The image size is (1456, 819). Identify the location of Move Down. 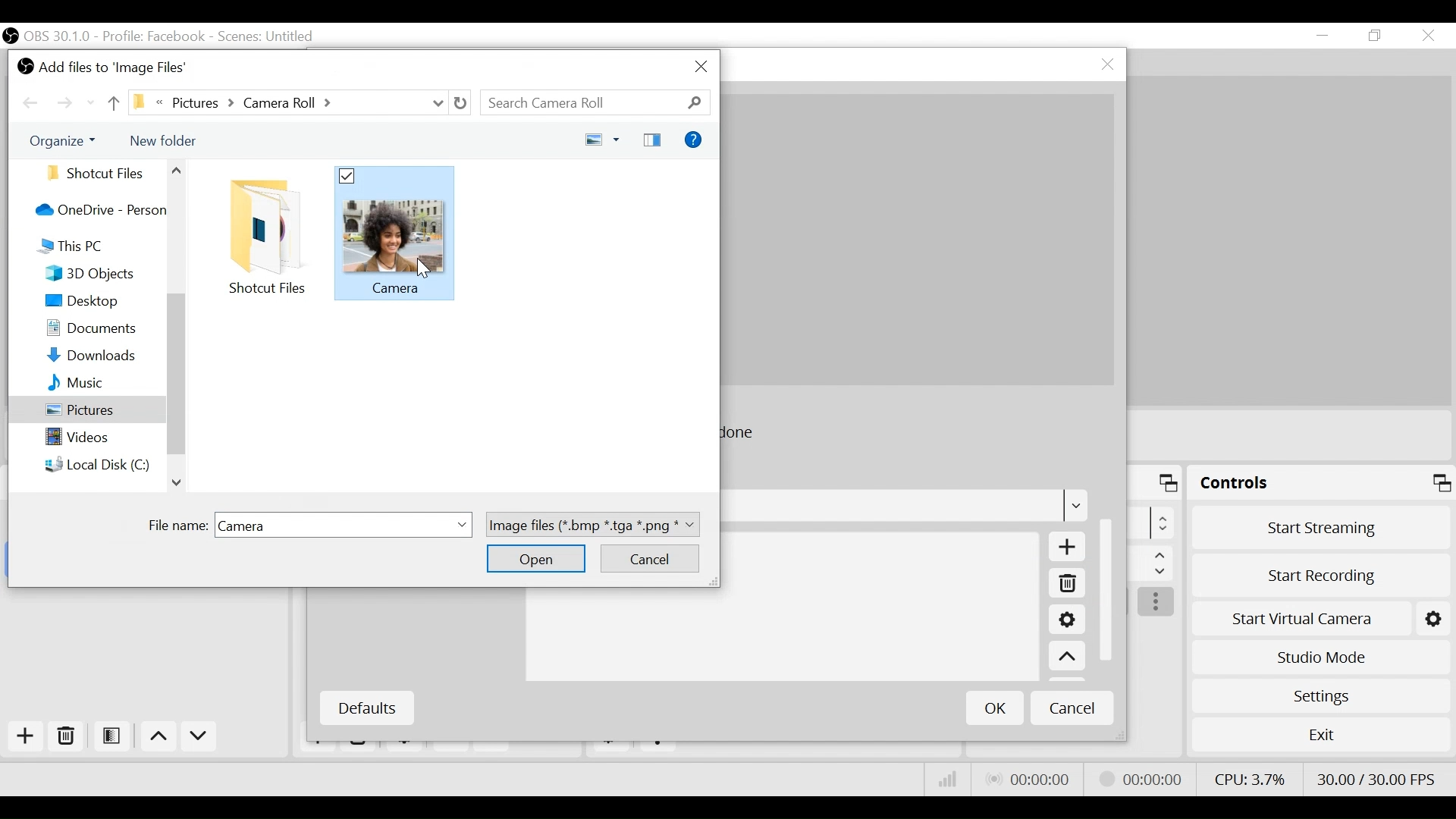
(199, 739).